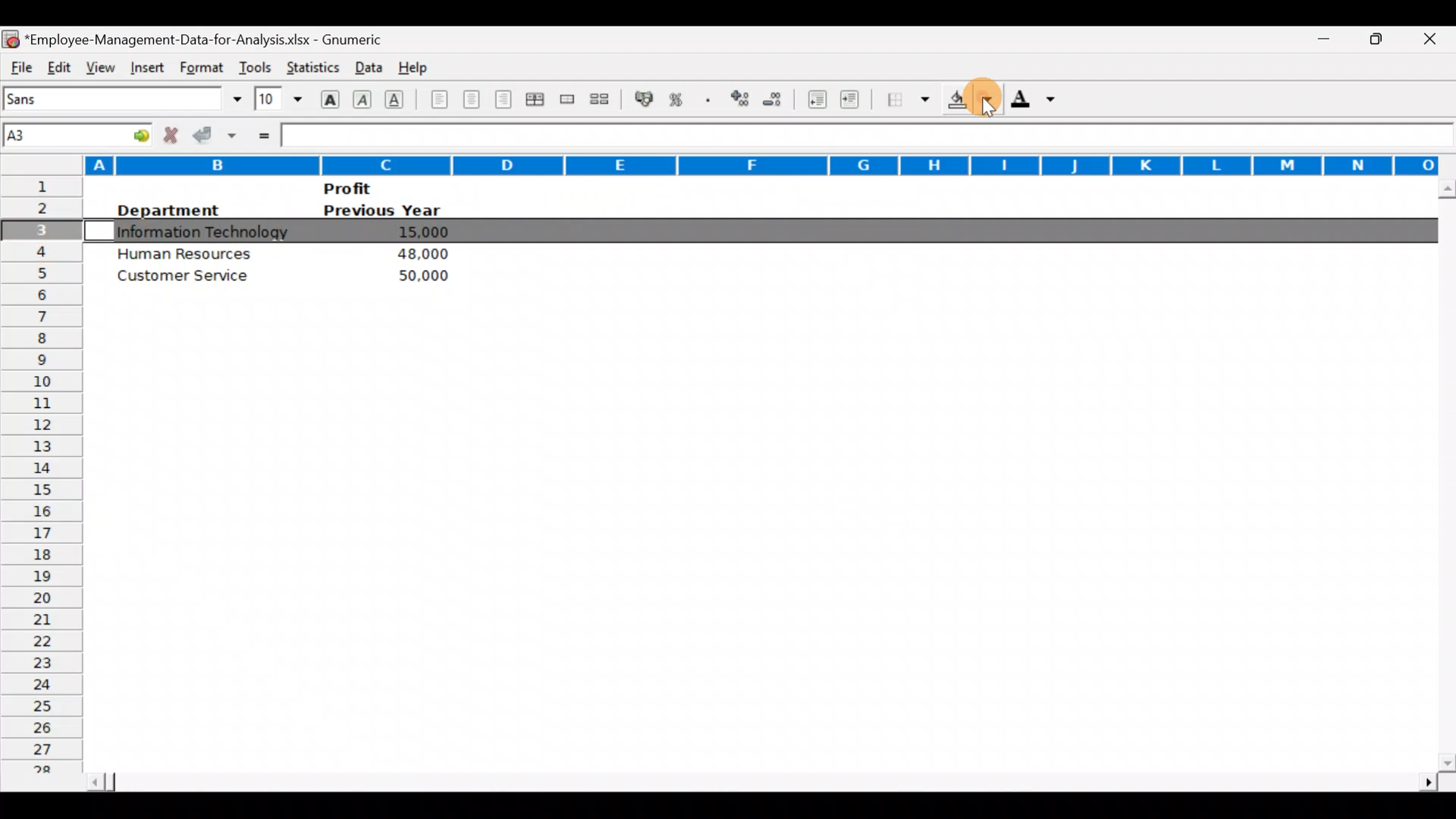 The image size is (1456, 819). I want to click on Statistics, so click(311, 64).